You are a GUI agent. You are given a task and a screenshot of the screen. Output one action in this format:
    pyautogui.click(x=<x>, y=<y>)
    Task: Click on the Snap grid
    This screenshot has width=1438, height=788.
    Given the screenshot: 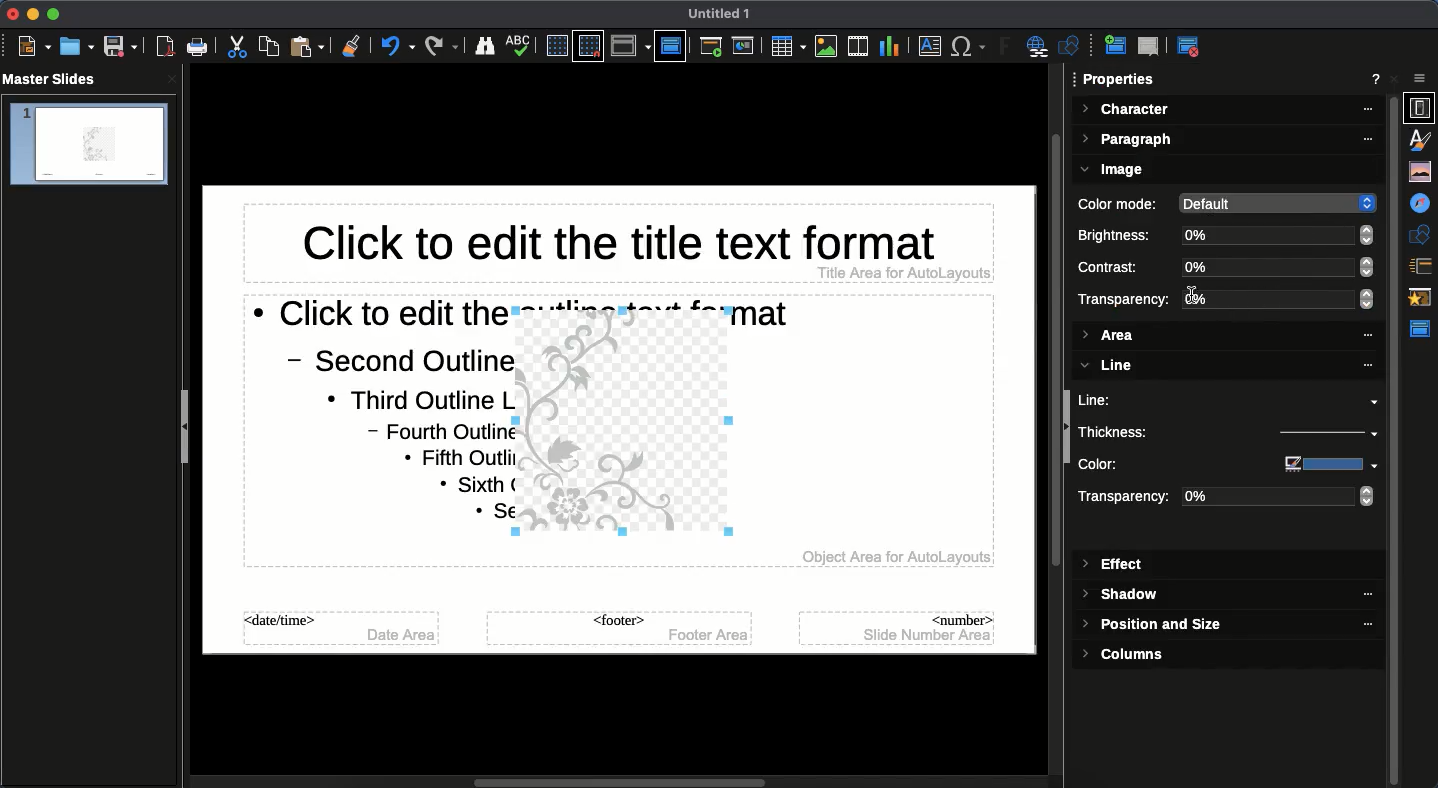 What is the action you would take?
    pyautogui.click(x=588, y=47)
    